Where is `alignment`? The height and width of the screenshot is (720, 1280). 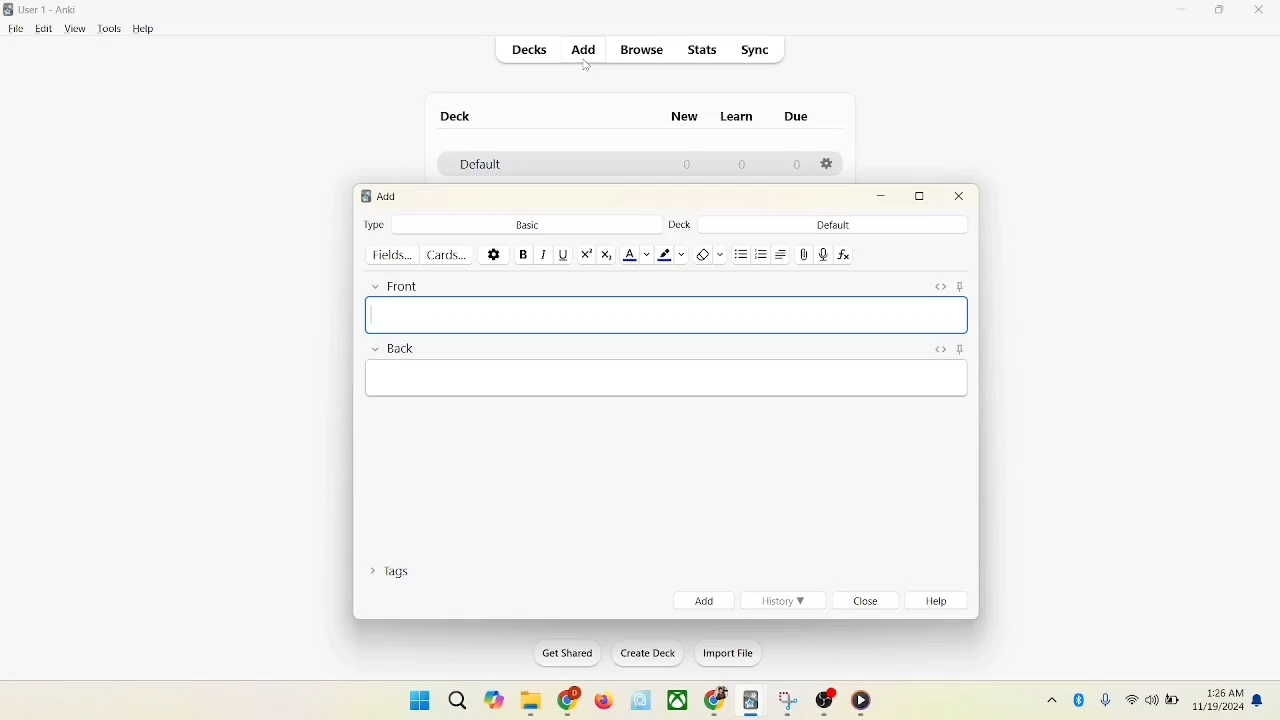
alignment is located at coordinates (783, 254).